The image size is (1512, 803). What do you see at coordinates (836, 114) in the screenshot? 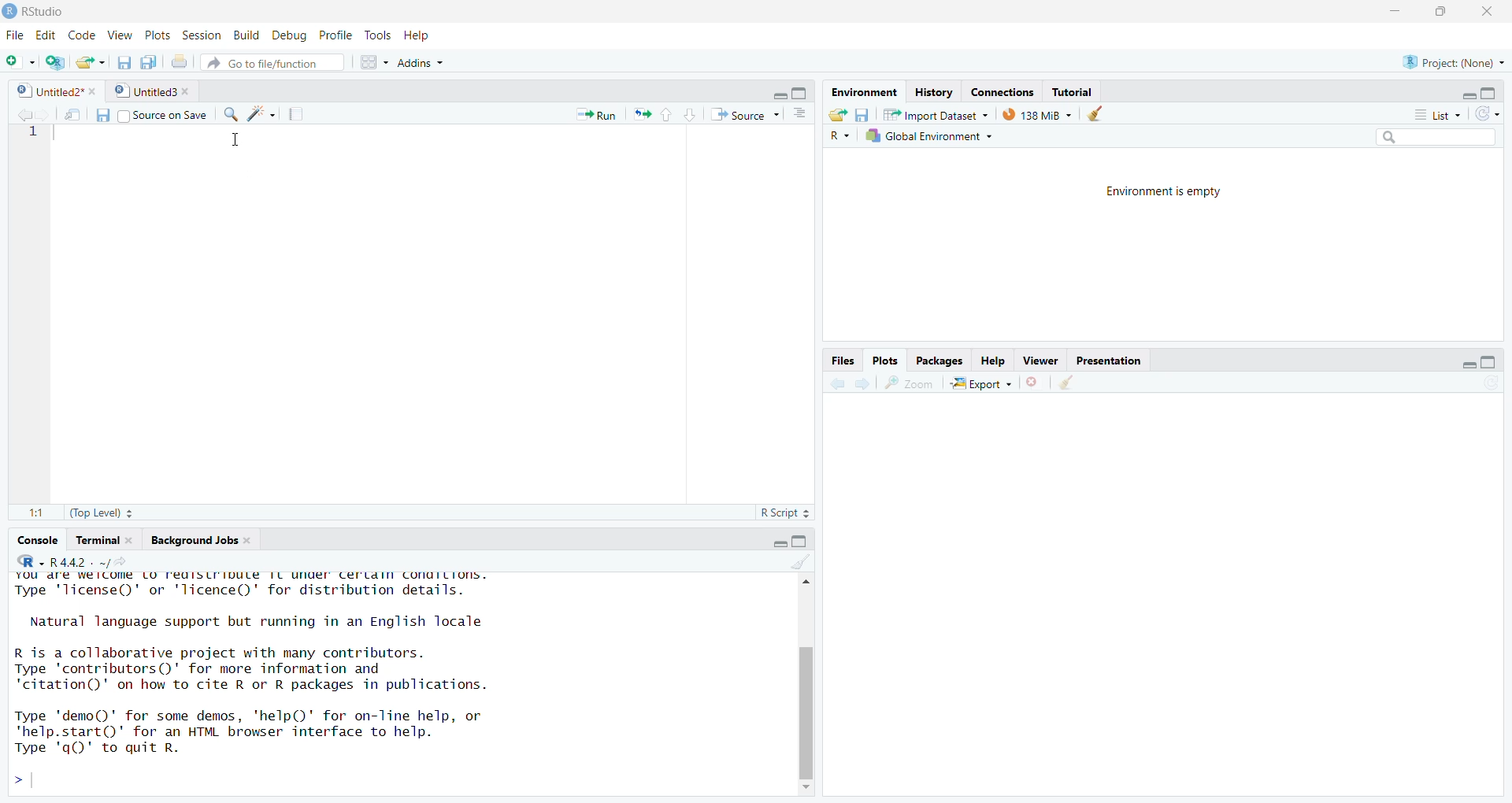
I see `Open` at bounding box center [836, 114].